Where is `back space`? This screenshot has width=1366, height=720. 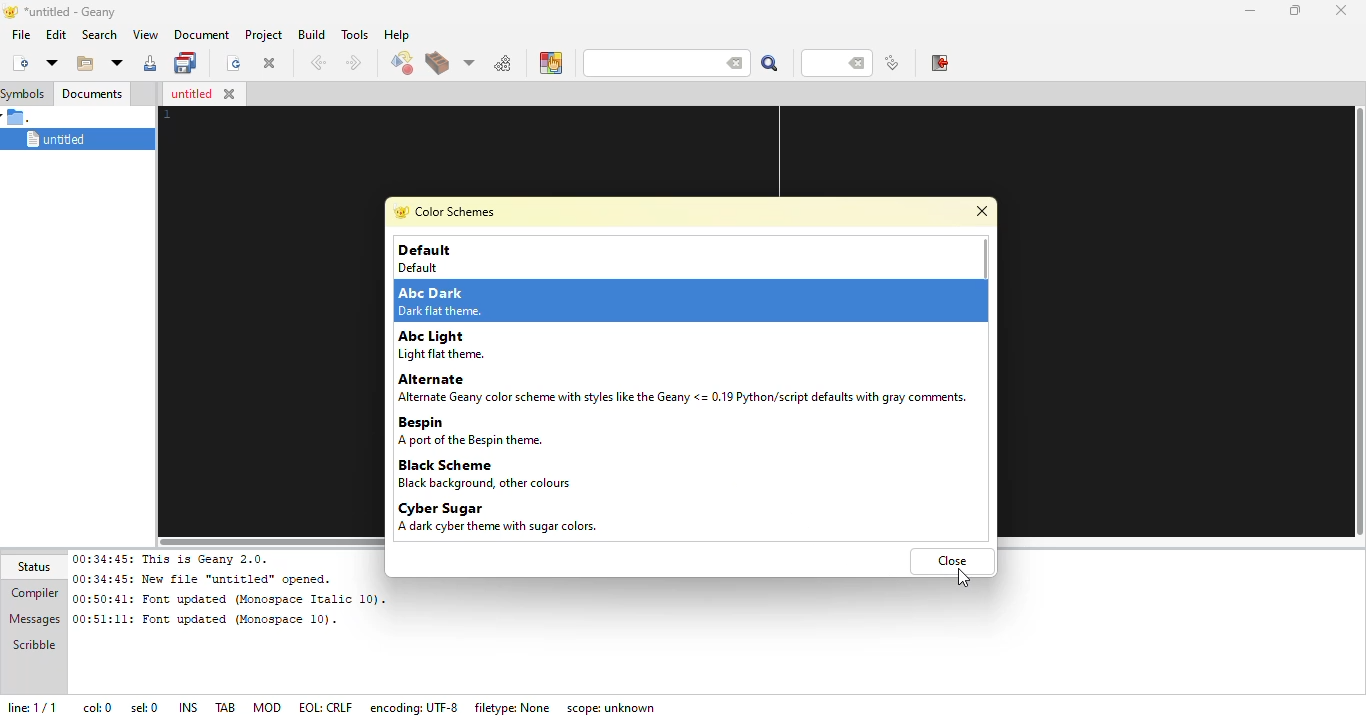 back space is located at coordinates (730, 61).